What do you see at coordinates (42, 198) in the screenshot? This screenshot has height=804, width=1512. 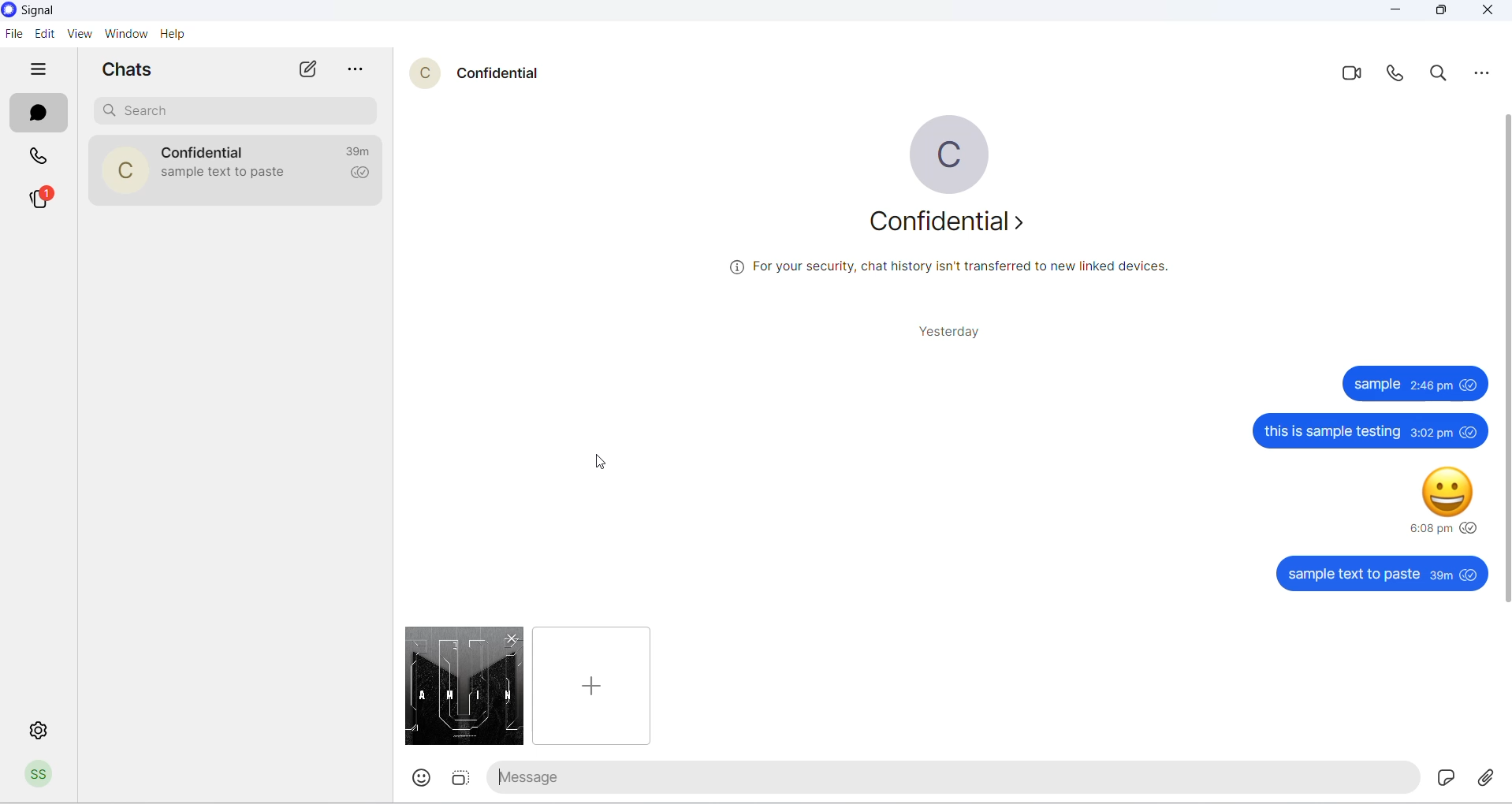 I see `stories` at bounding box center [42, 198].